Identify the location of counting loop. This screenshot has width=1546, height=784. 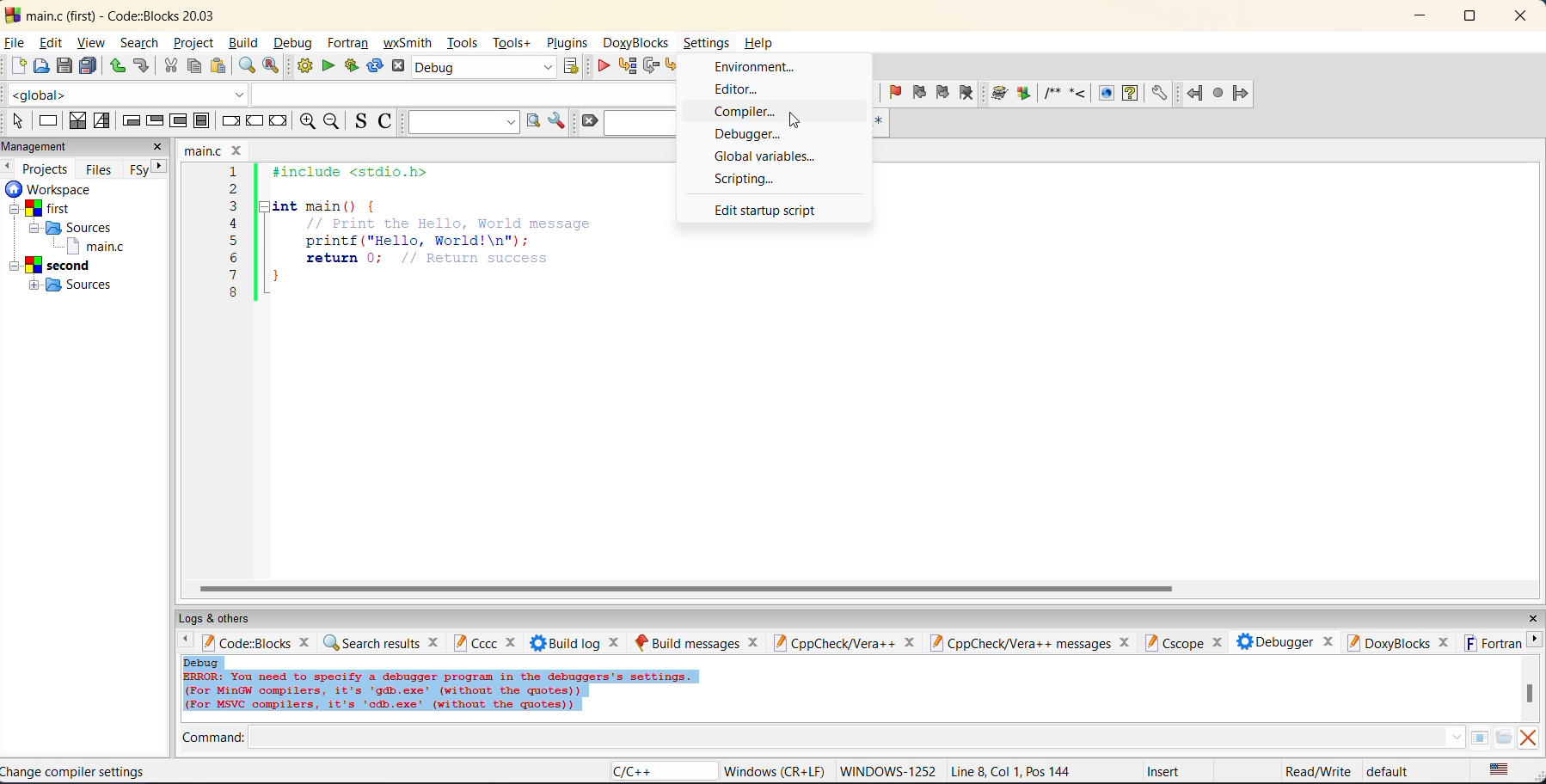
(180, 123).